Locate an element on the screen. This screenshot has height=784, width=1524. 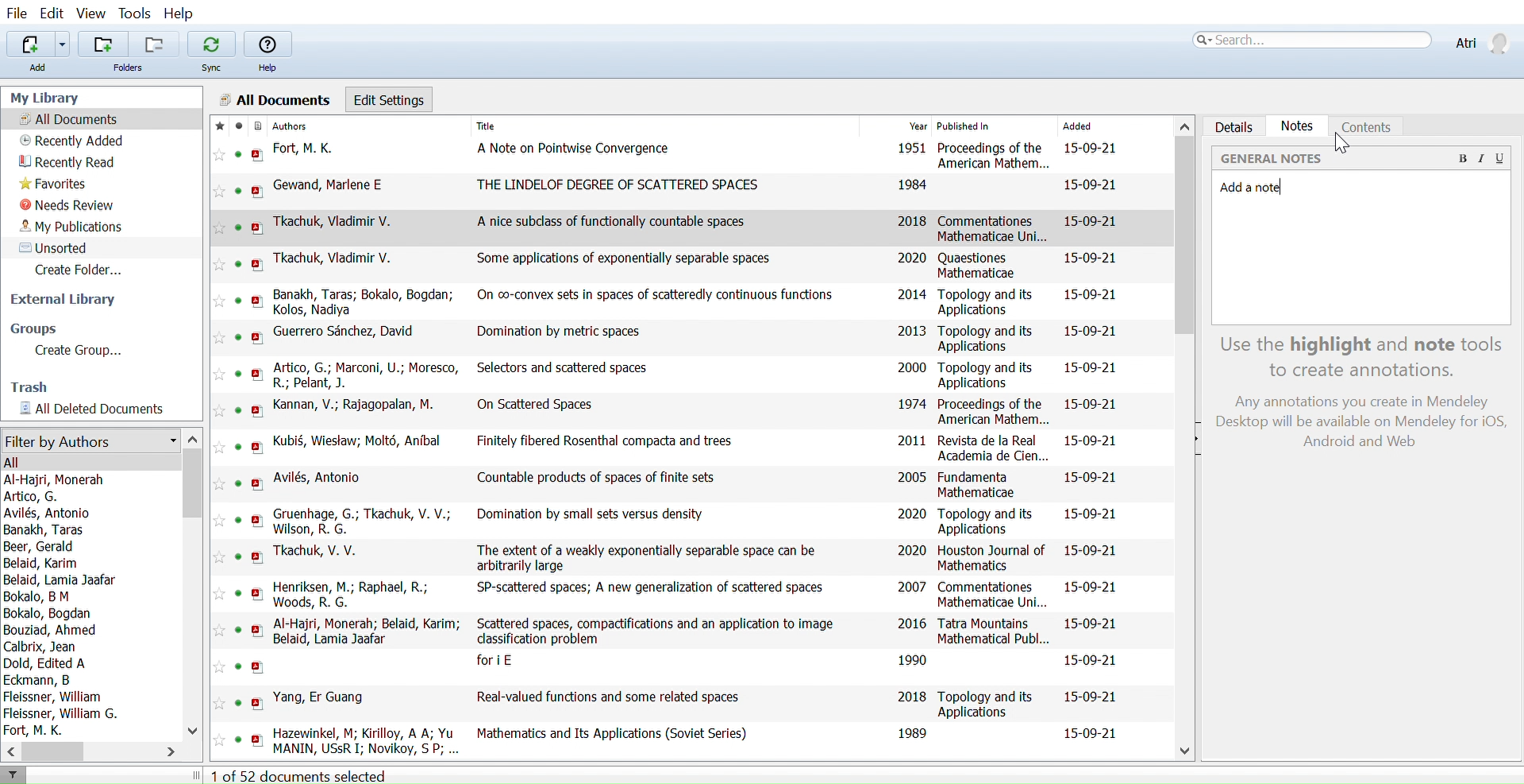
open PDF is located at coordinates (257, 155).